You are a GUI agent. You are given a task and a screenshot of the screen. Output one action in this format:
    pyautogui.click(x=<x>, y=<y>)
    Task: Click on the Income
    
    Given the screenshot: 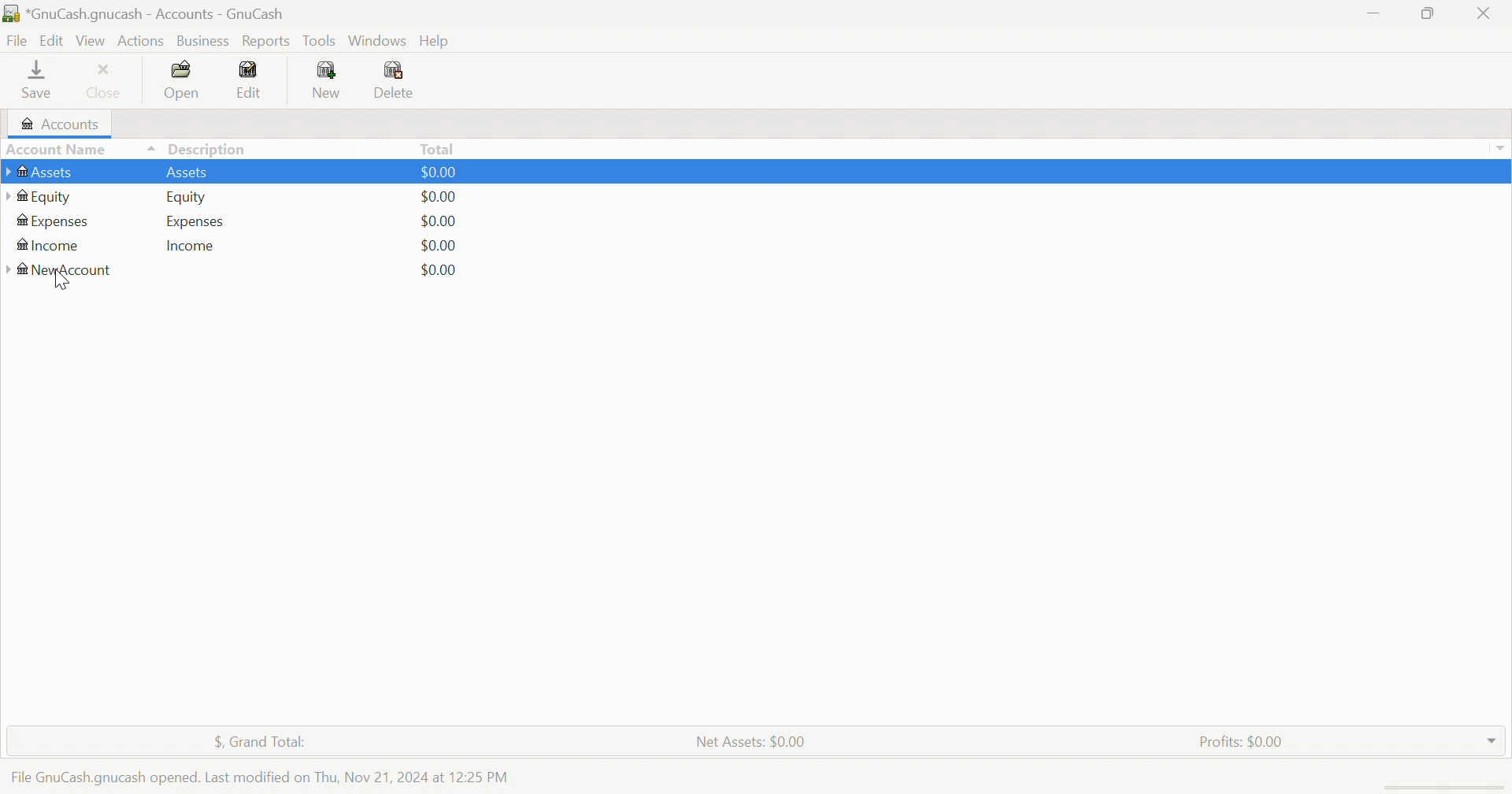 What is the action you would take?
    pyautogui.click(x=191, y=247)
    